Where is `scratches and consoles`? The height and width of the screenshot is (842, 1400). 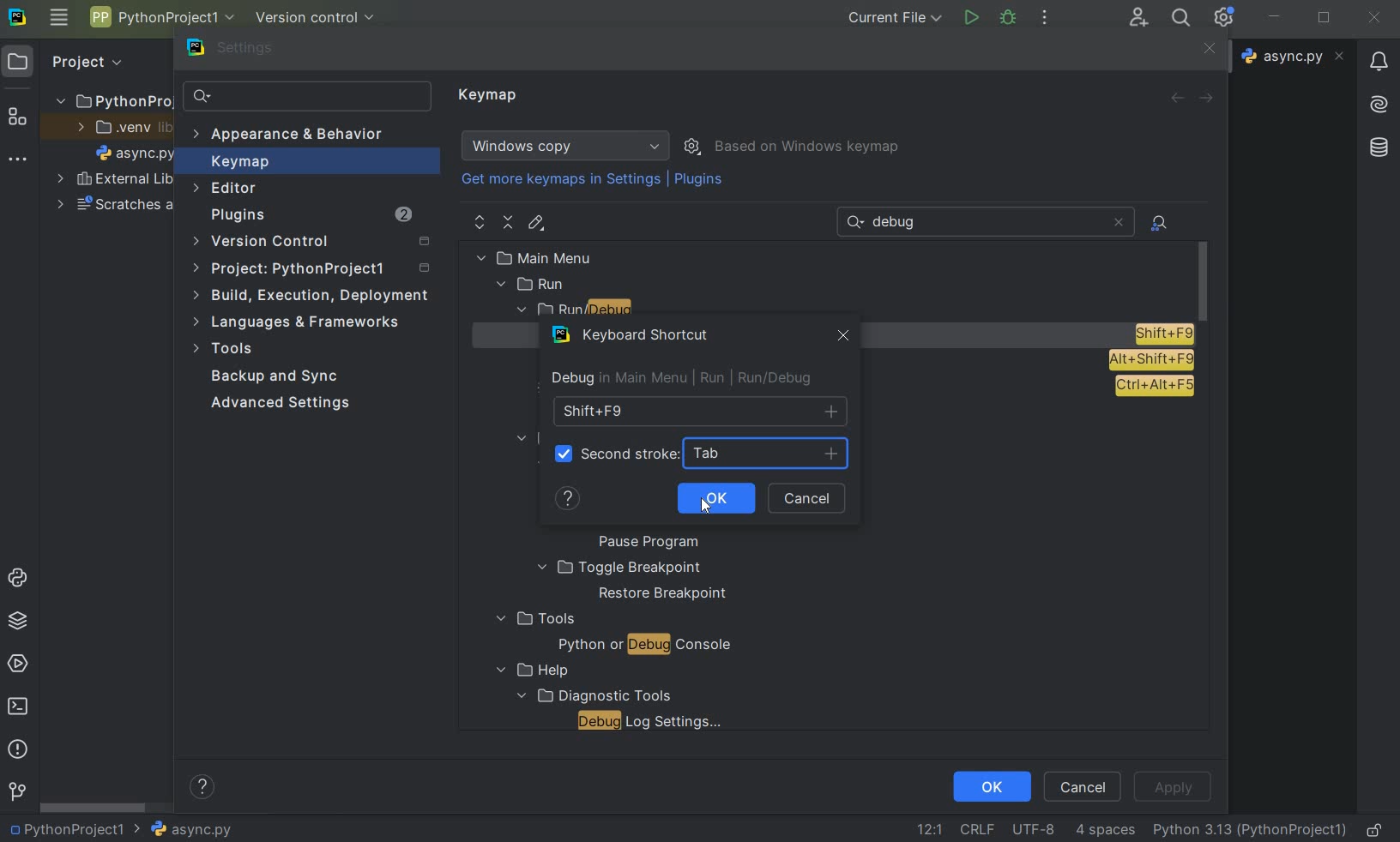 scratches and consoles is located at coordinates (116, 207).